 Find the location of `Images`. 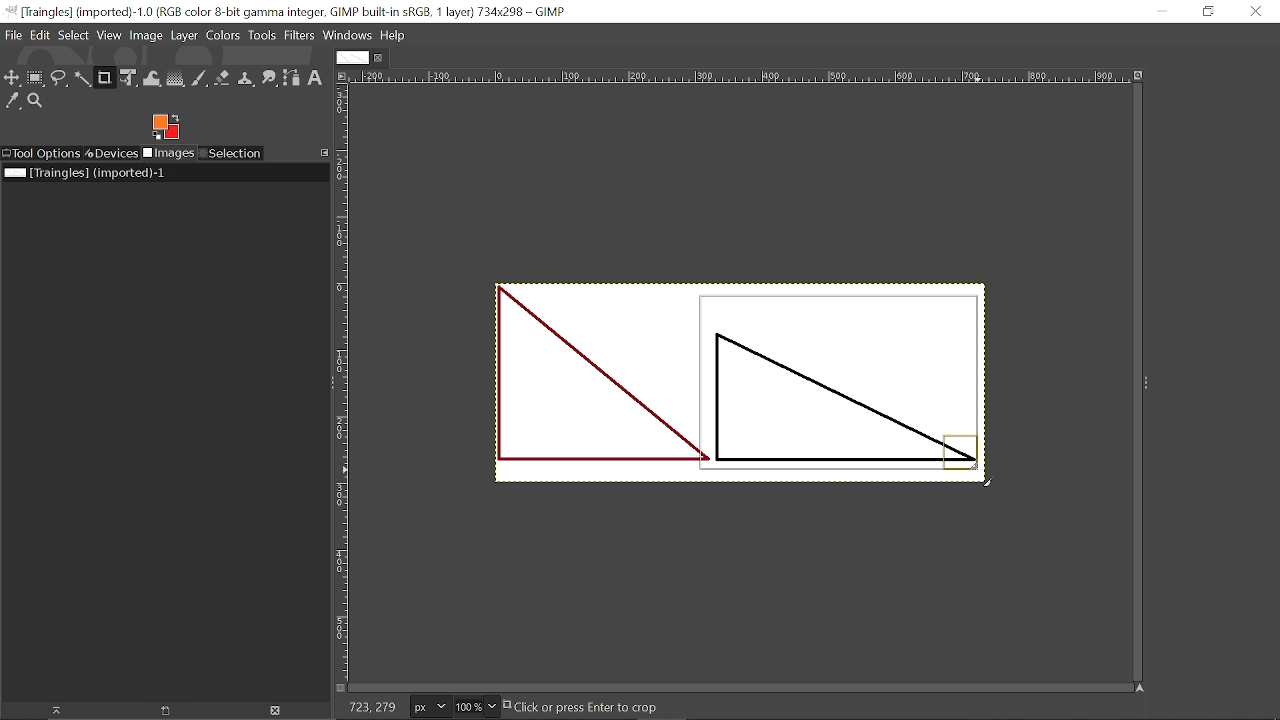

Images is located at coordinates (168, 153).